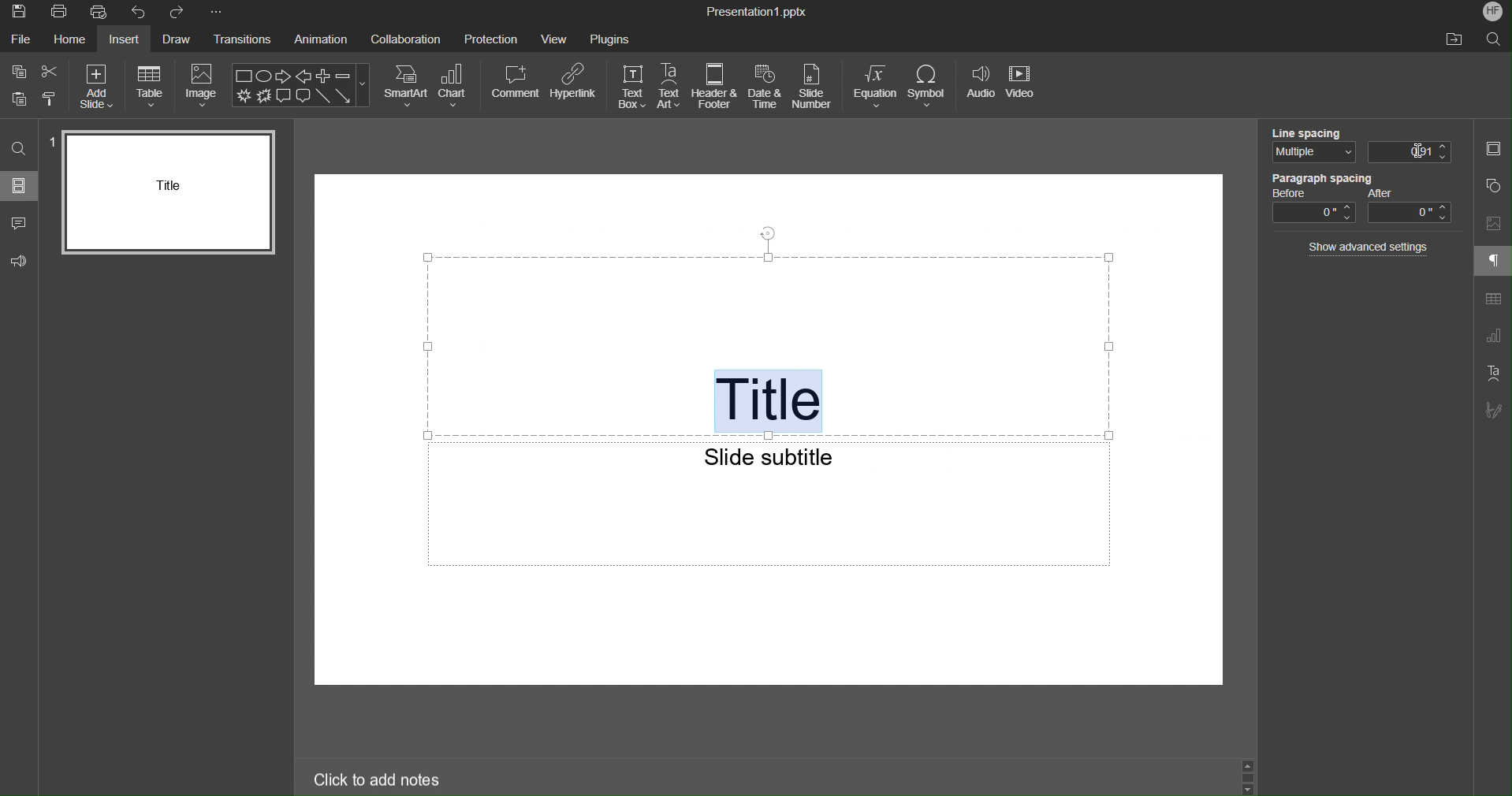 This screenshot has width=1512, height=796. I want to click on Table, so click(151, 86).